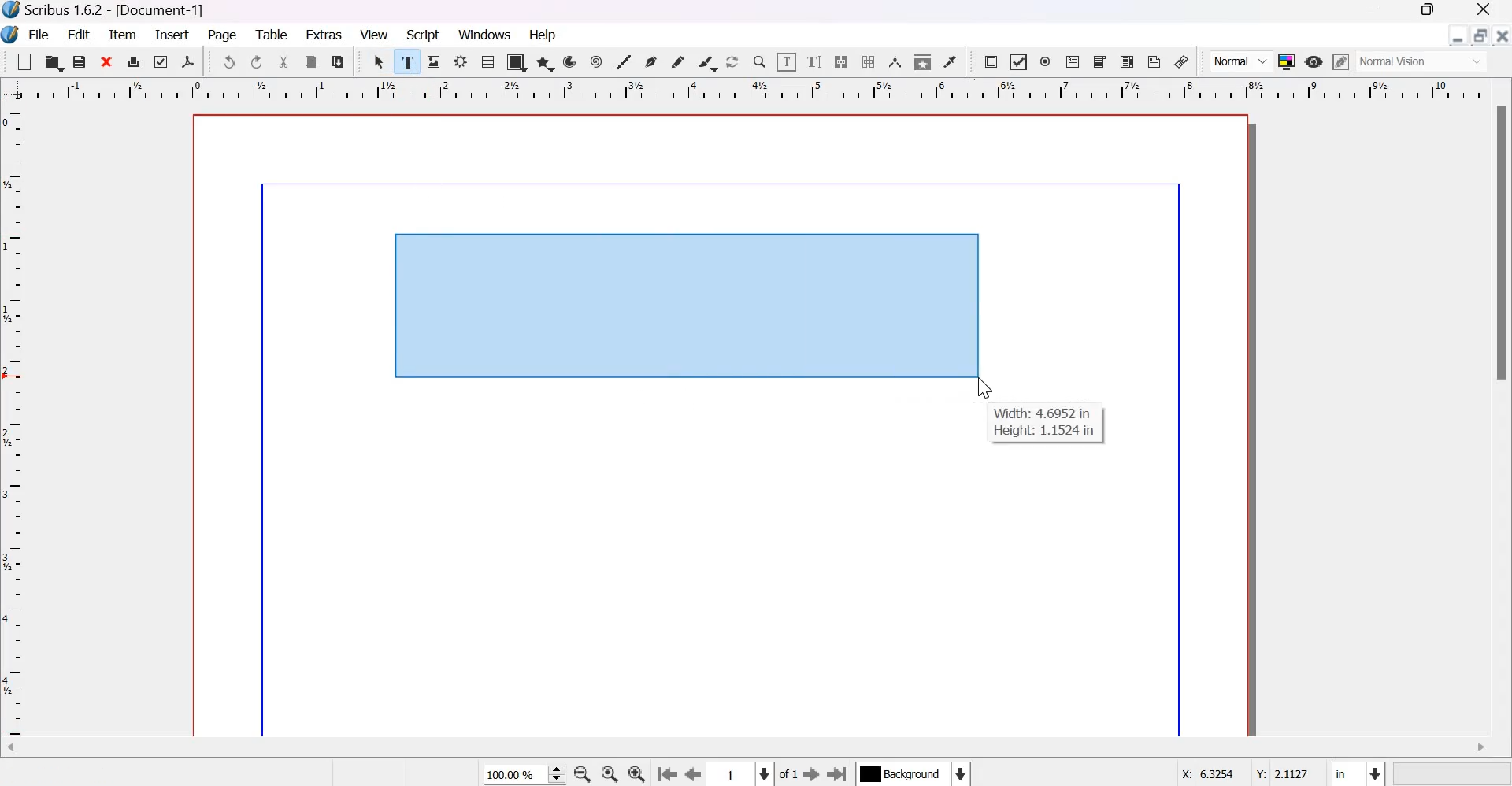 The width and height of the screenshot is (1512, 786). What do you see at coordinates (1458, 35) in the screenshot?
I see `minimize` at bounding box center [1458, 35].